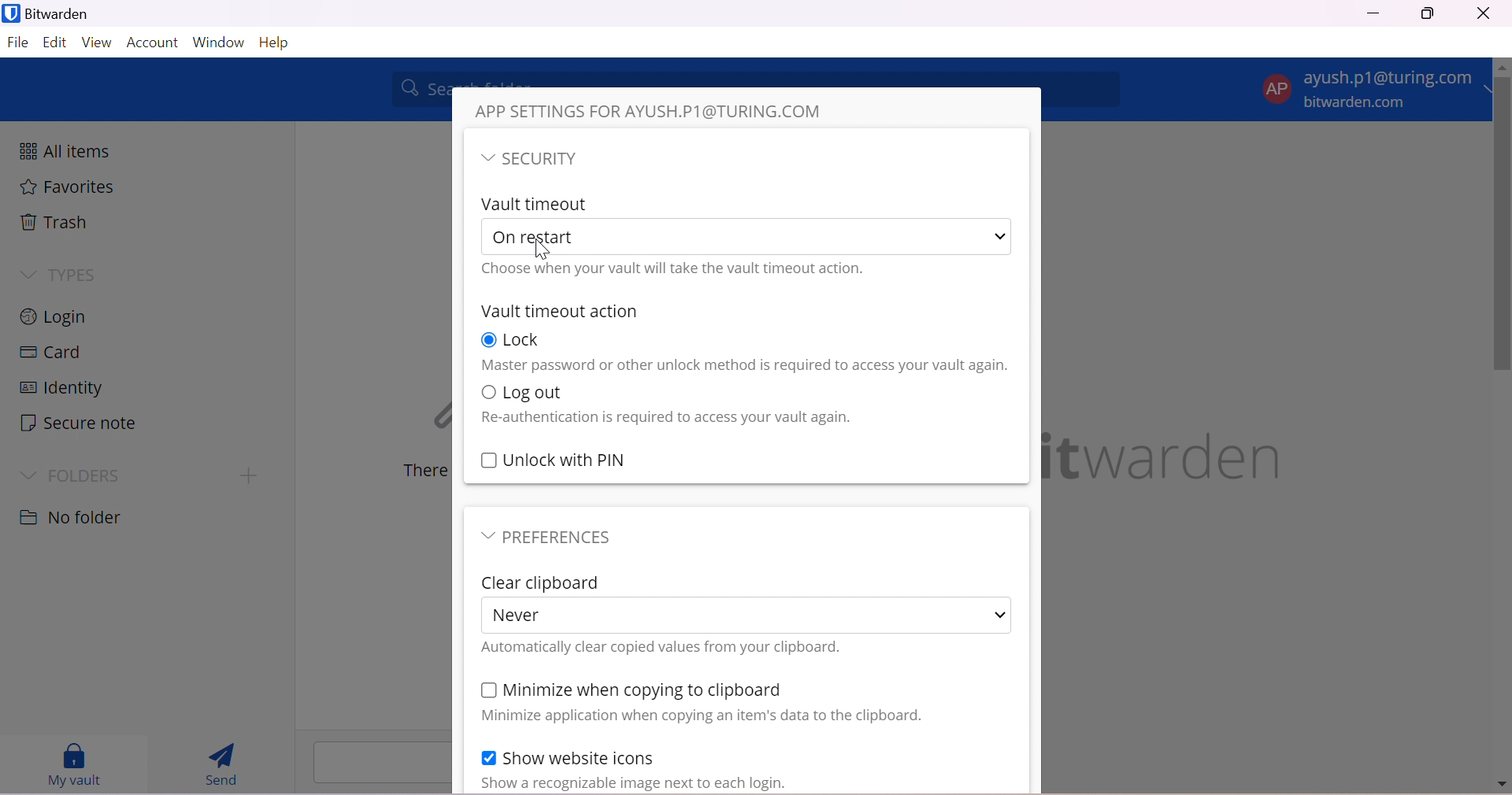 This screenshot has height=795, width=1512. What do you see at coordinates (486, 692) in the screenshot?
I see `Checkbox` at bounding box center [486, 692].